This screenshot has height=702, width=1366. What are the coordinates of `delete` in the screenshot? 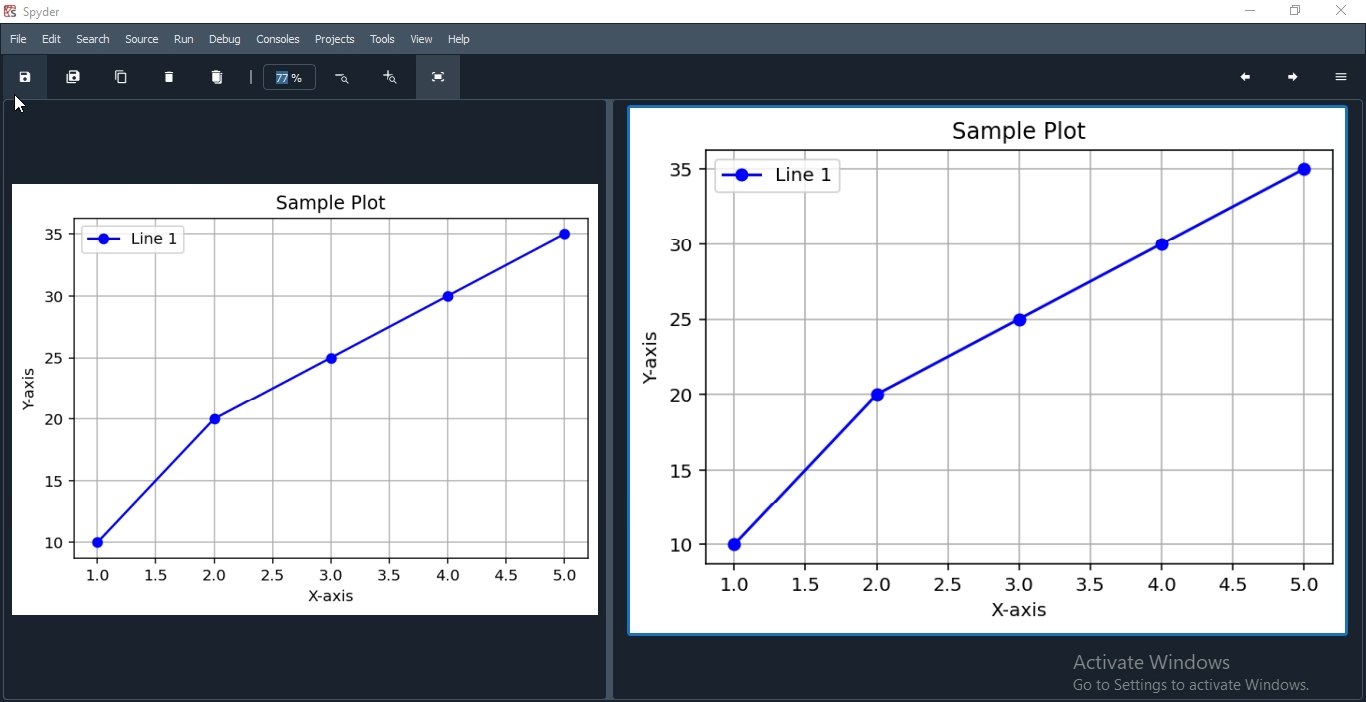 It's located at (172, 77).